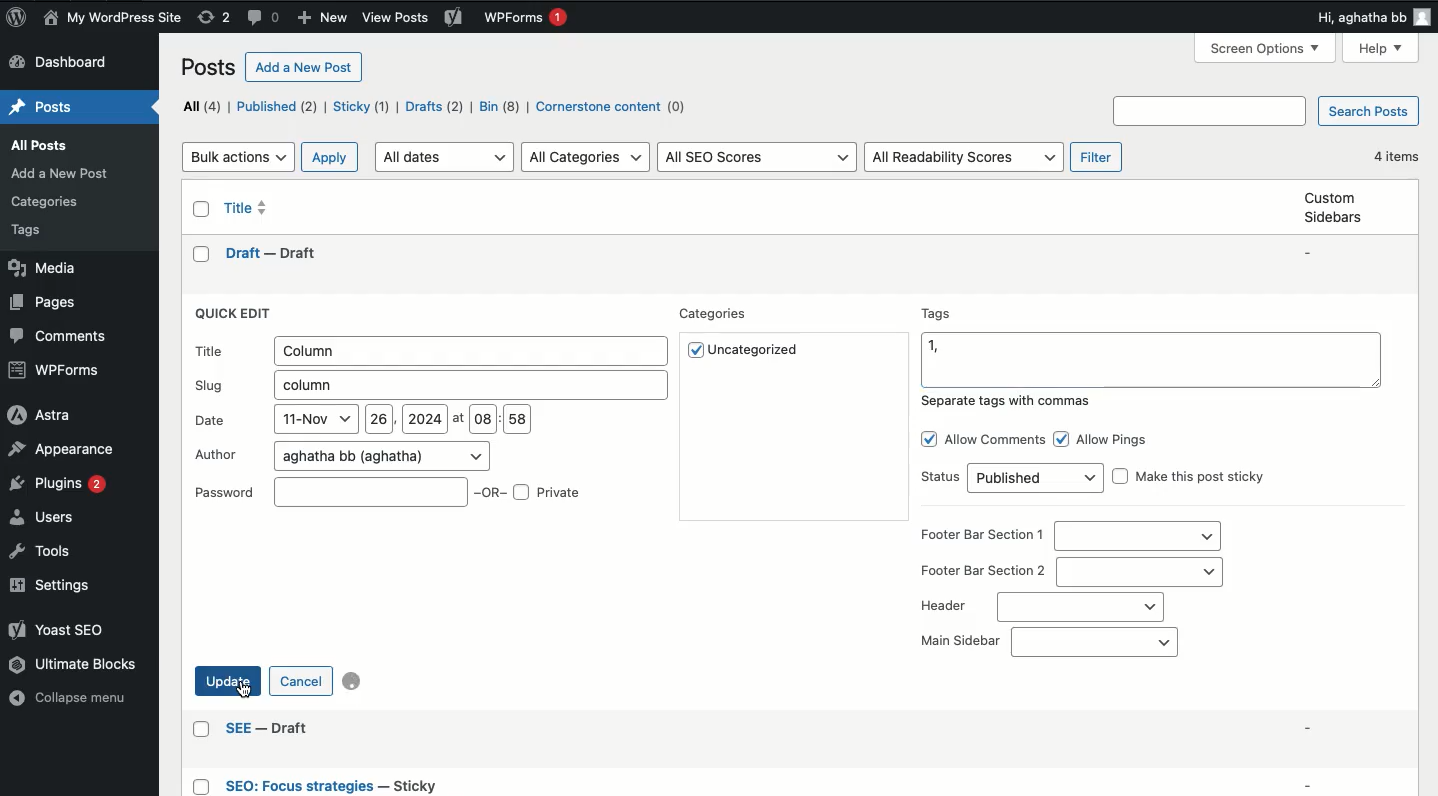 The width and height of the screenshot is (1438, 796). Describe the element at coordinates (57, 370) in the screenshot. I see `WPForms` at that location.